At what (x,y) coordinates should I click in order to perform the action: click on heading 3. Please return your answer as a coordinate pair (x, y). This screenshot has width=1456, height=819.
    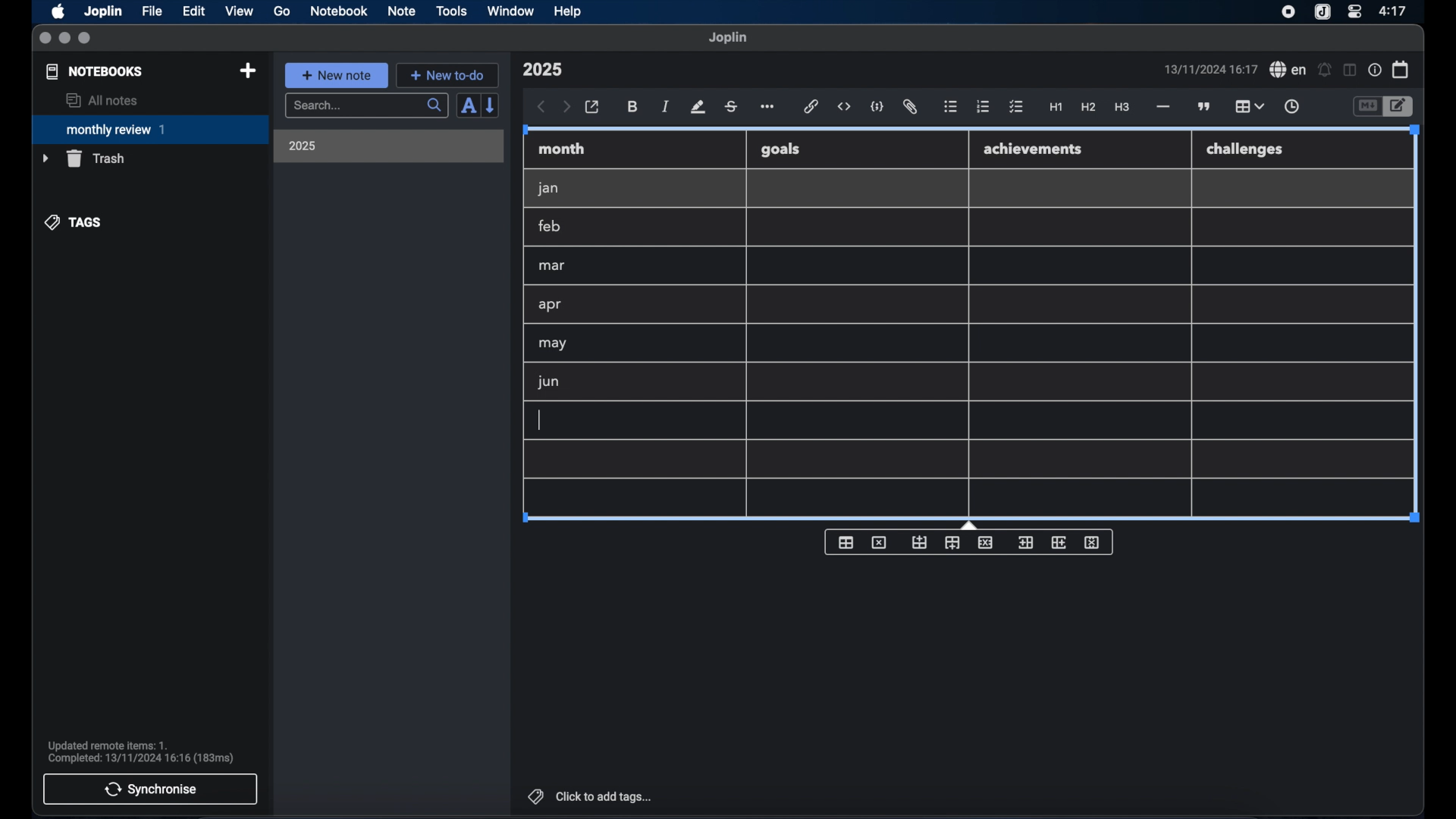
    Looking at the image, I should click on (1122, 108).